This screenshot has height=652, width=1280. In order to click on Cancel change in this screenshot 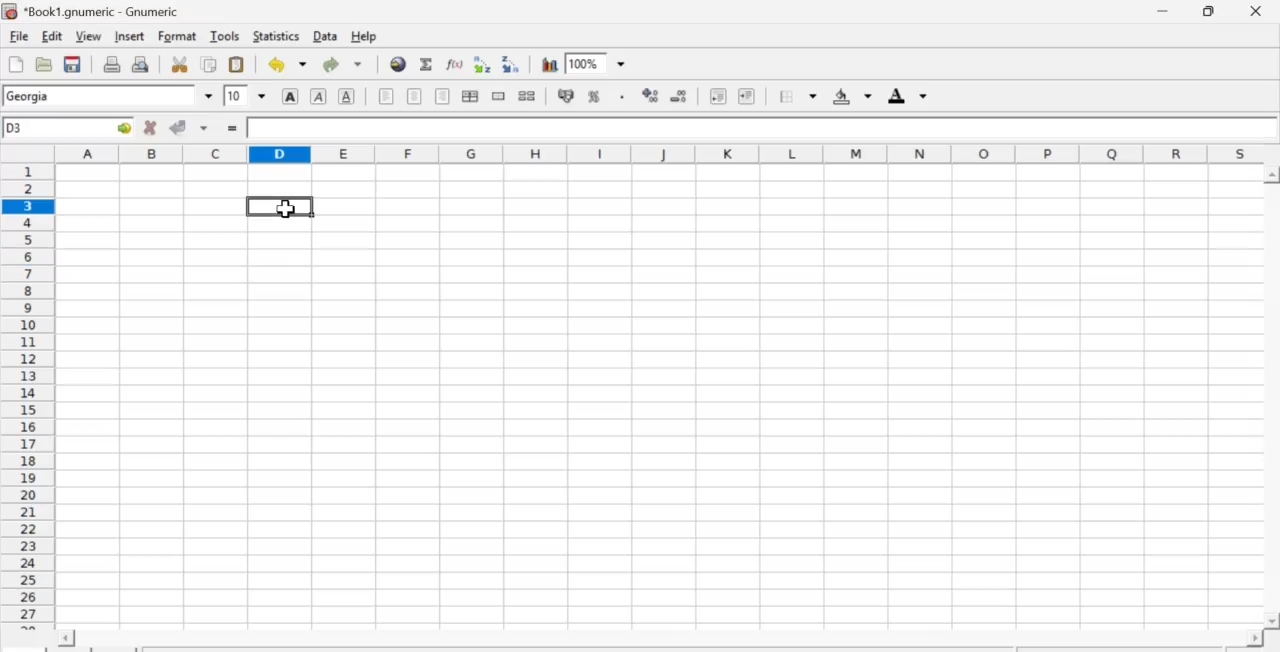, I will do `click(148, 127)`.